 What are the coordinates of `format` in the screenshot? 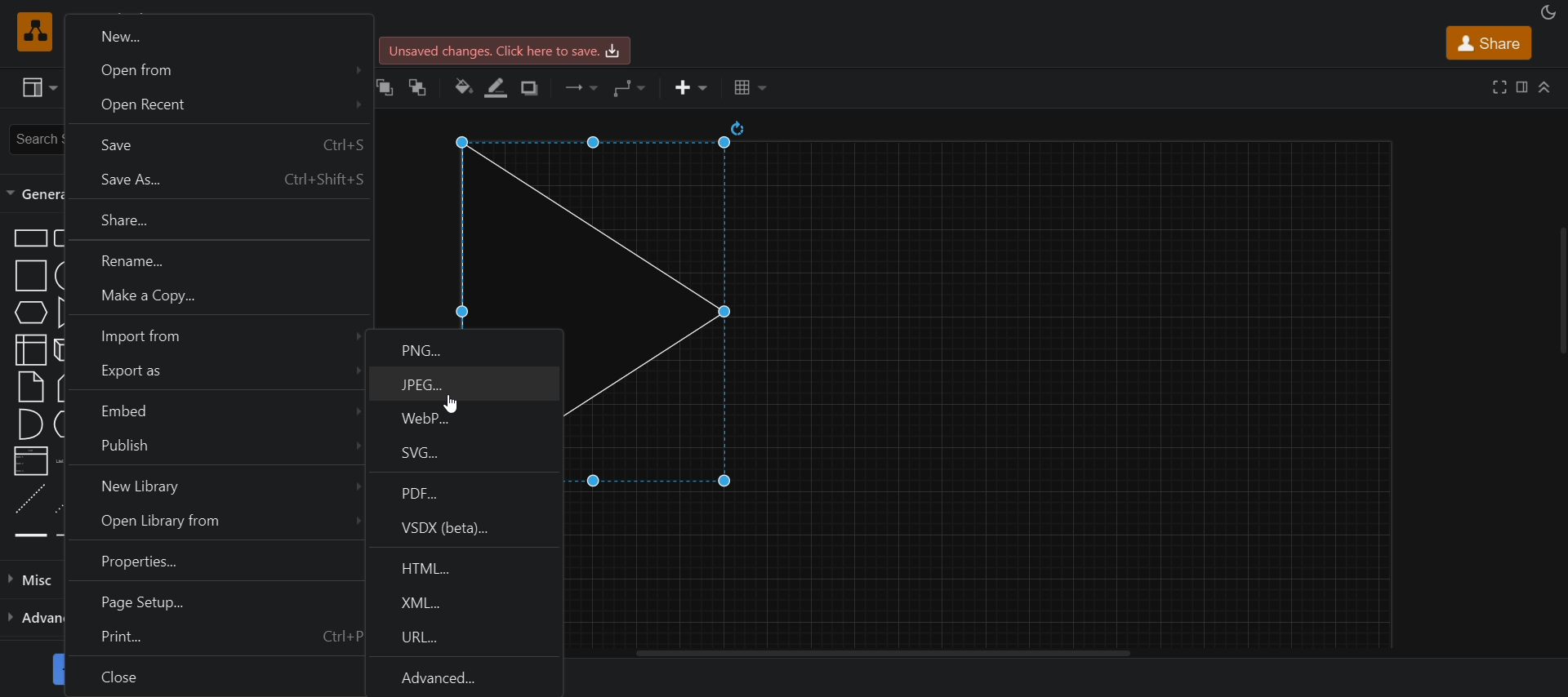 It's located at (1519, 87).